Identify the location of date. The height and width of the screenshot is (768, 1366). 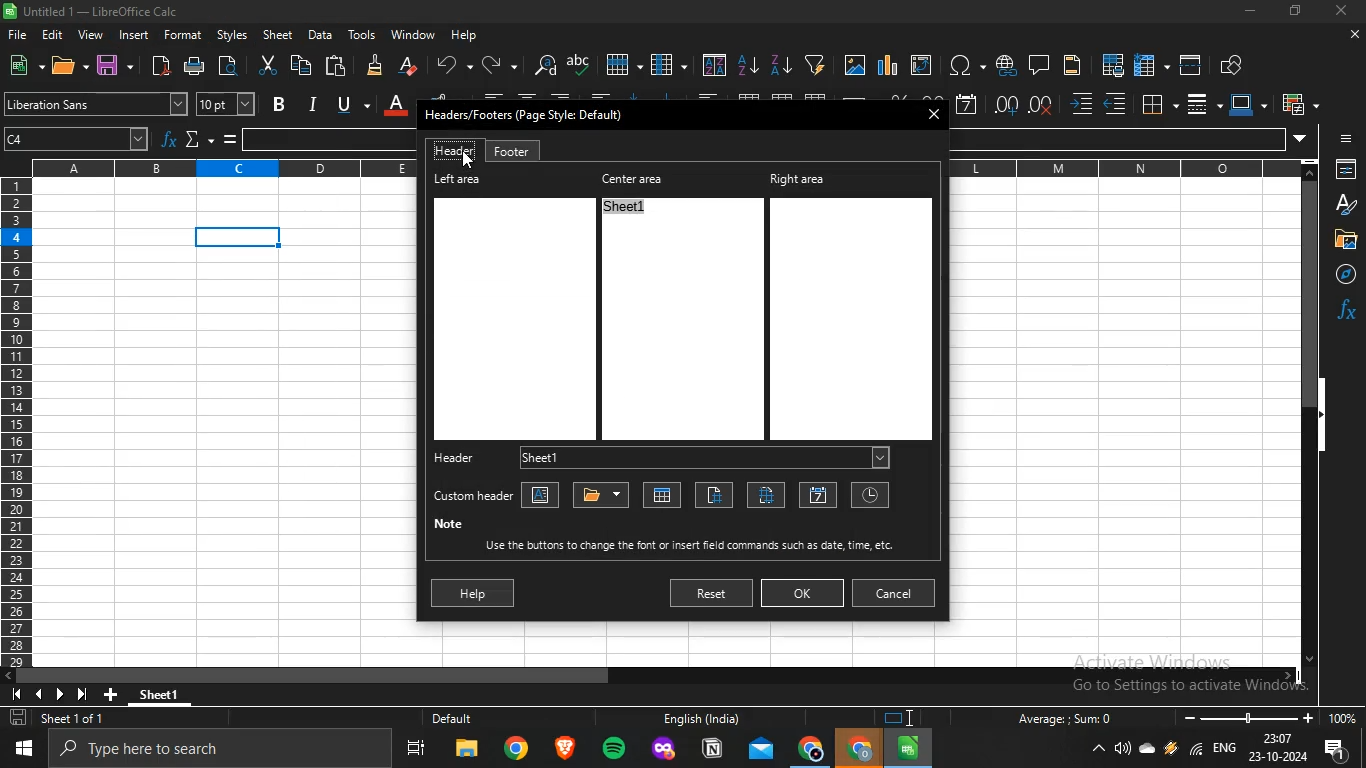
(819, 496).